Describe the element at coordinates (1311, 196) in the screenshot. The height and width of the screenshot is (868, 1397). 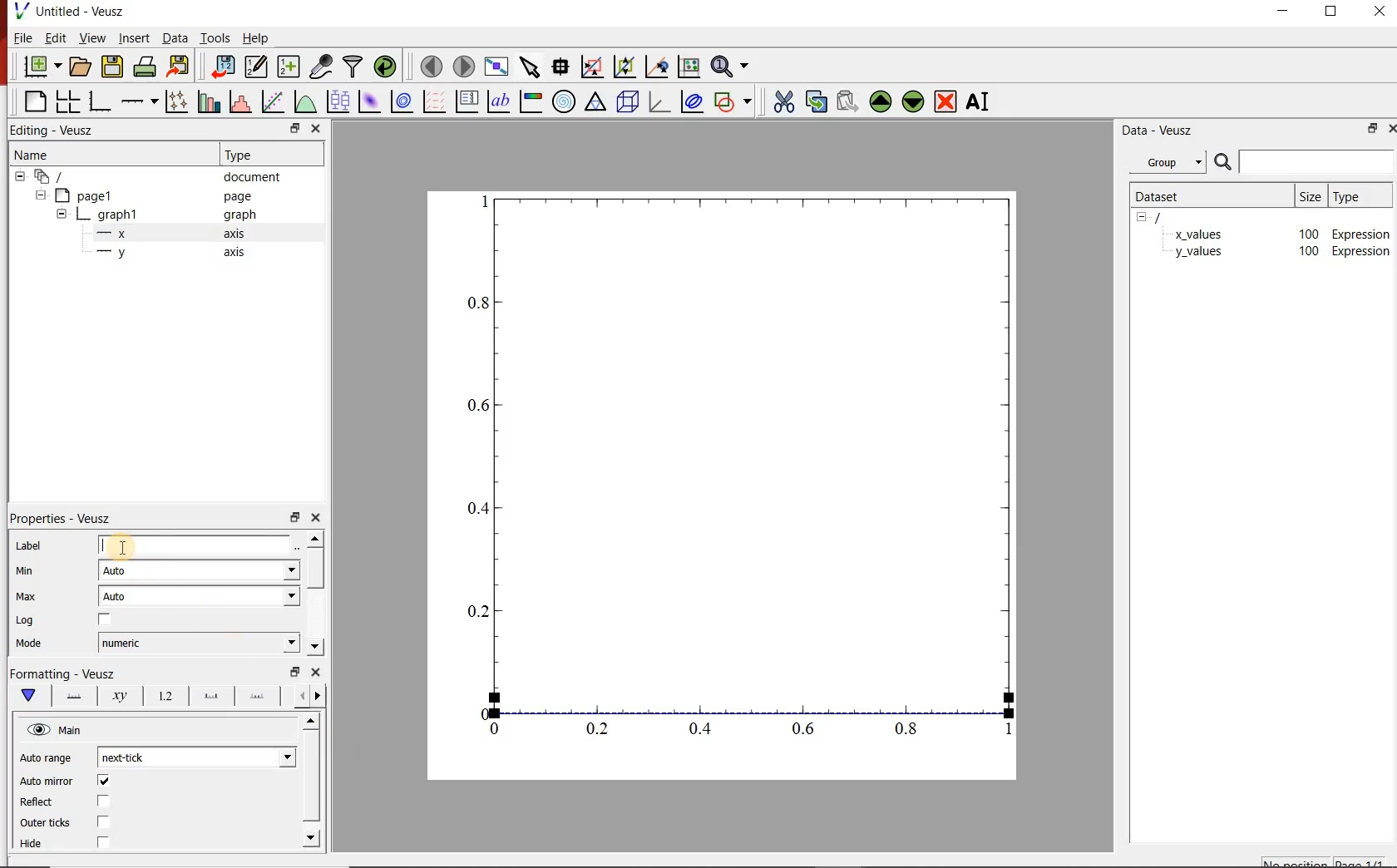
I see `size ` at that location.